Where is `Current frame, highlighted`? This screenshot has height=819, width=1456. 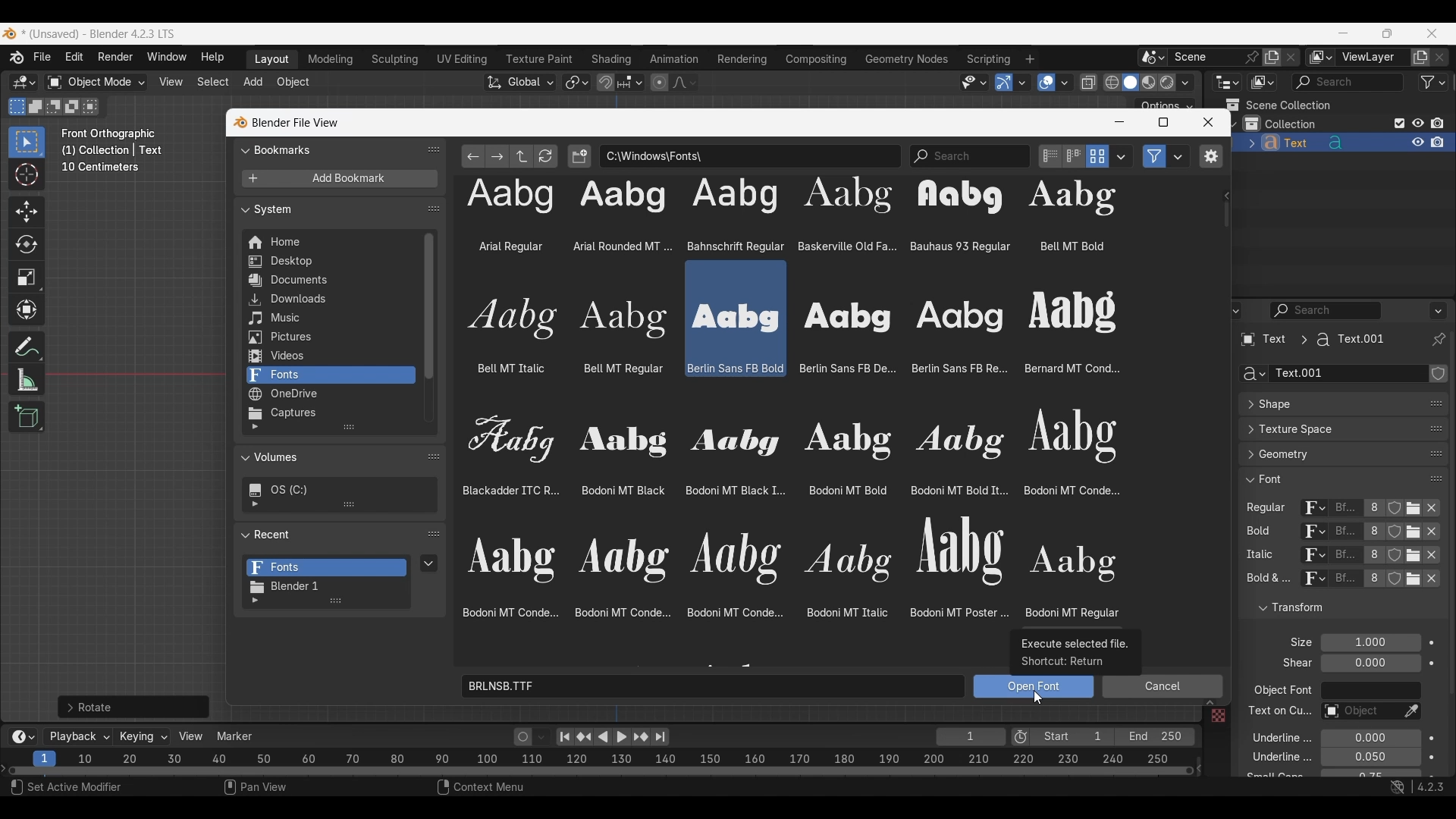
Current frame, highlighted is located at coordinates (45, 756).